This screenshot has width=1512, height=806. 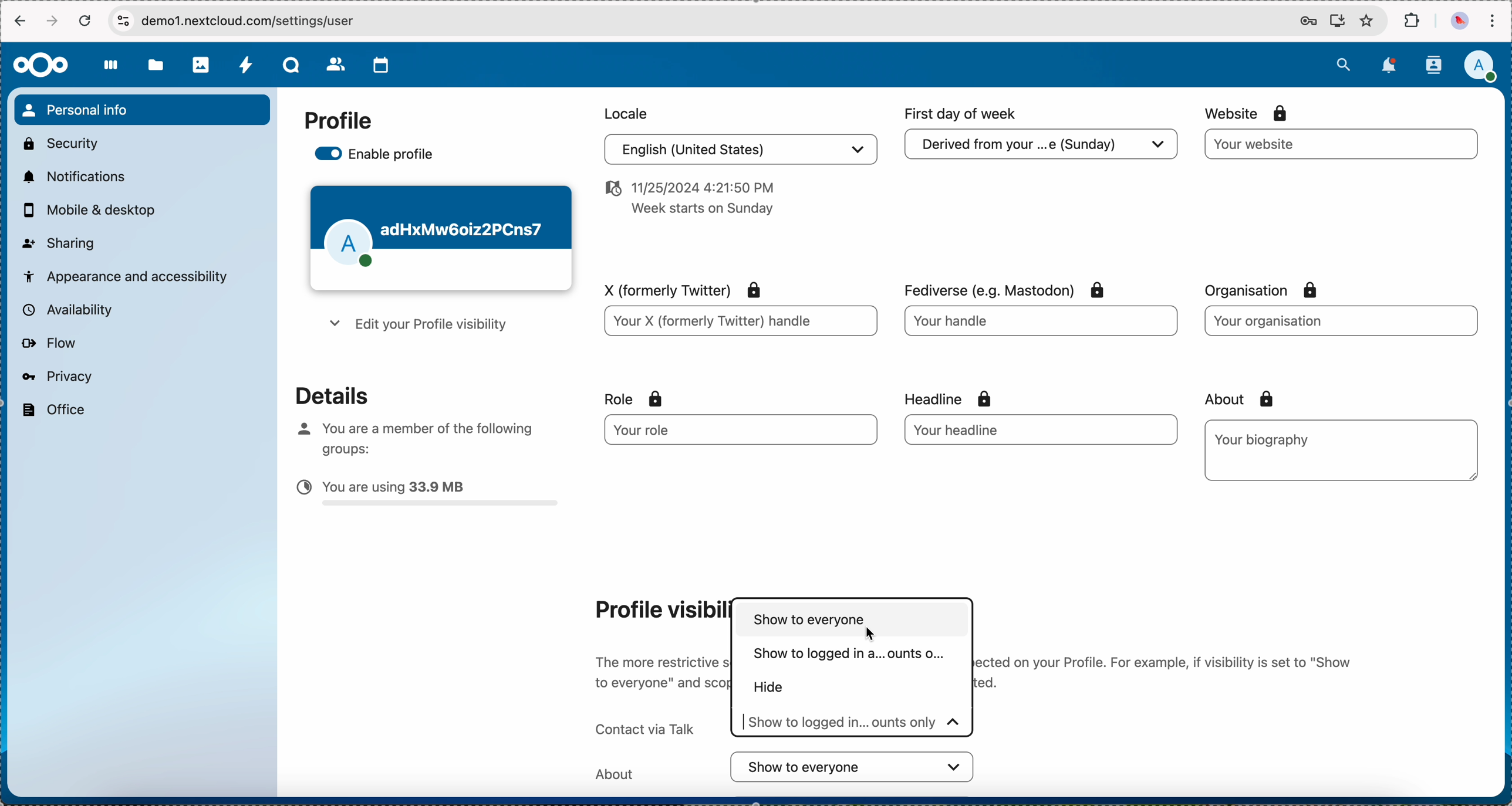 What do you see at coordinates (853, 723) in the screenshot?
I see `click on contact via Talk options` at bounding box center [853, 723].